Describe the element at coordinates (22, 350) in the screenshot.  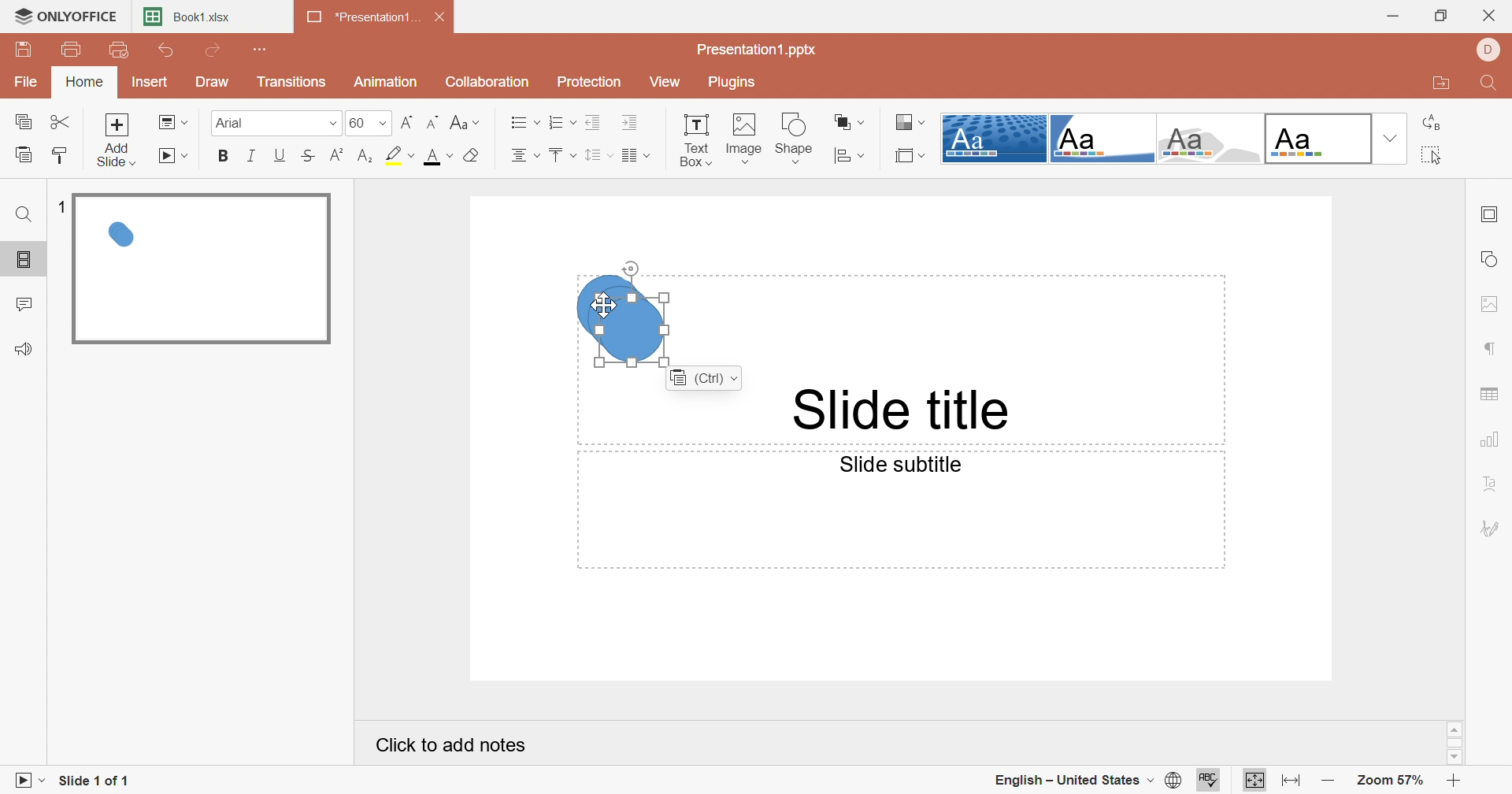
I see `Feedback & Support` at that location.